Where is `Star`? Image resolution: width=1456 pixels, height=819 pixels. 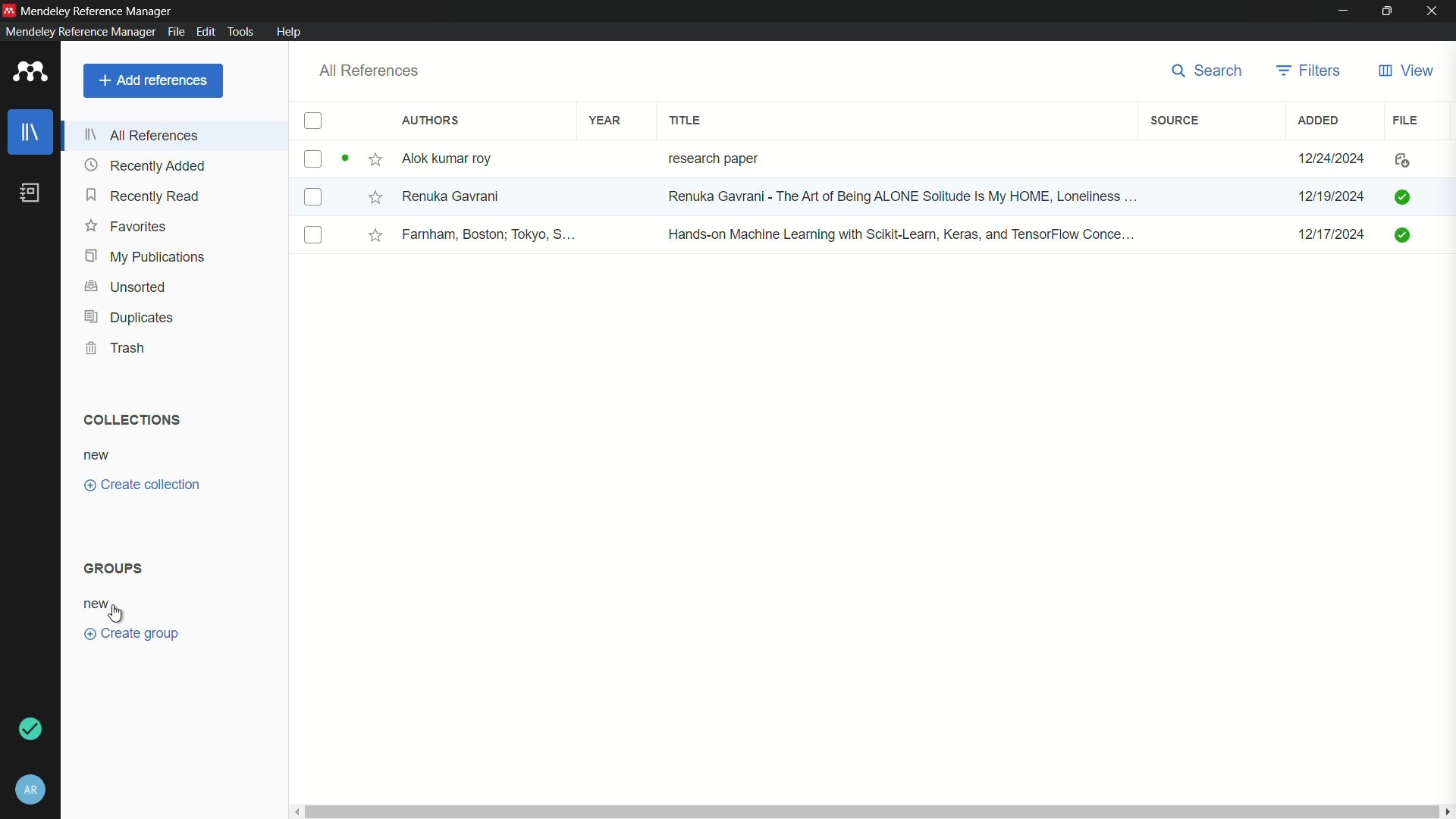 Star is located at coordinates (362, 160).